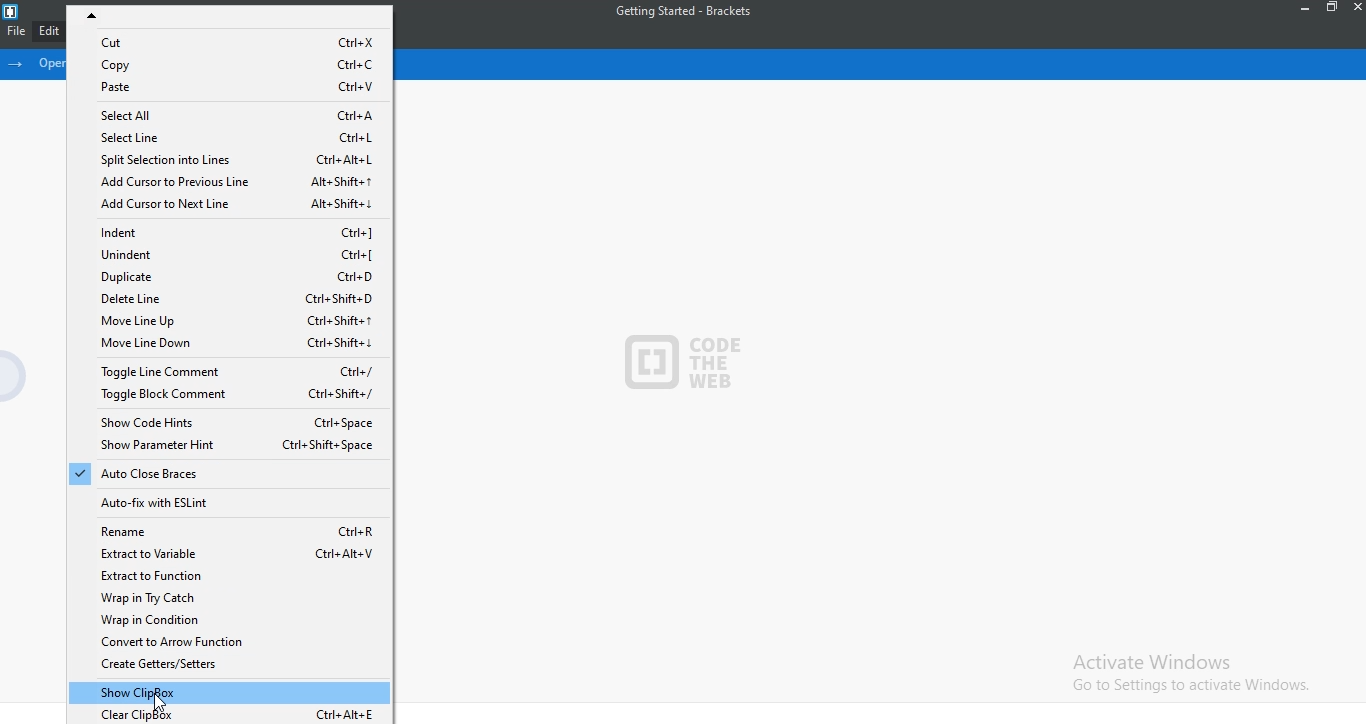  I want to click on Indent, so click(230, 232).